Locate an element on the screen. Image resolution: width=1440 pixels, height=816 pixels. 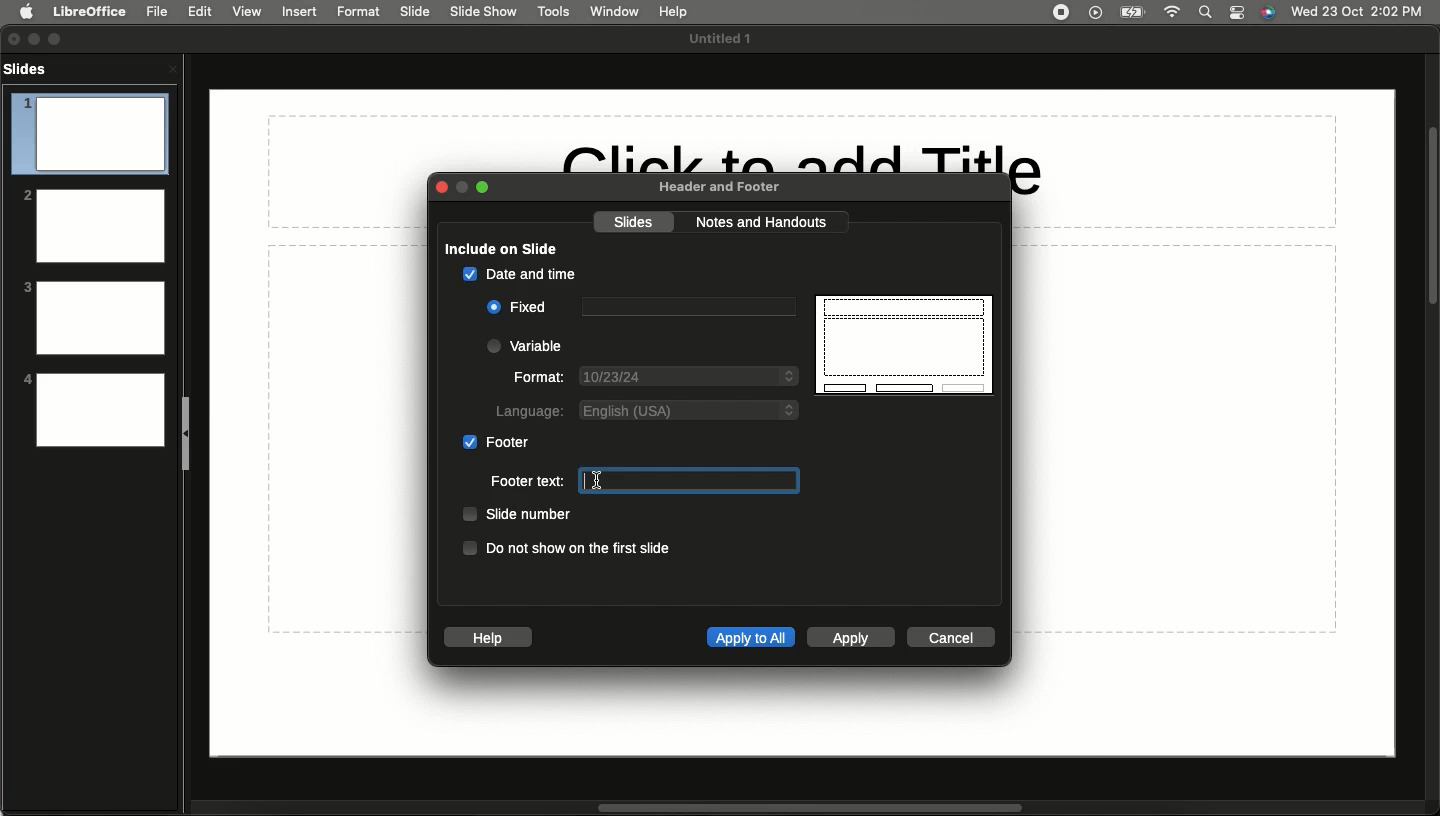
Close is located at coordinates (172, 68).